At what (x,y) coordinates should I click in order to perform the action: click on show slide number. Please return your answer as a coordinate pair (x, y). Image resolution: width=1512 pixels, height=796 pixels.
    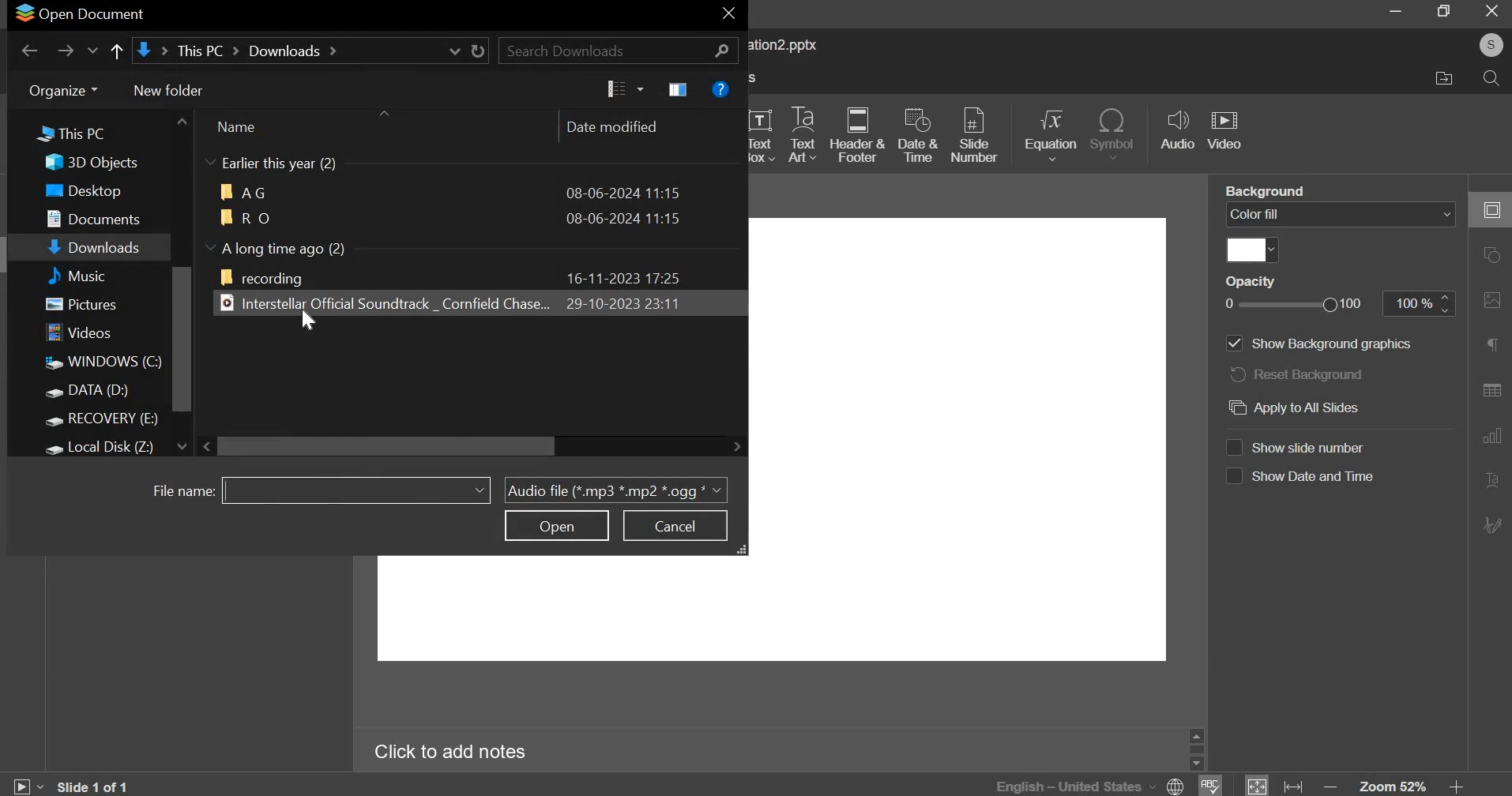
    Looking at the image, I should click on (1303, 447).